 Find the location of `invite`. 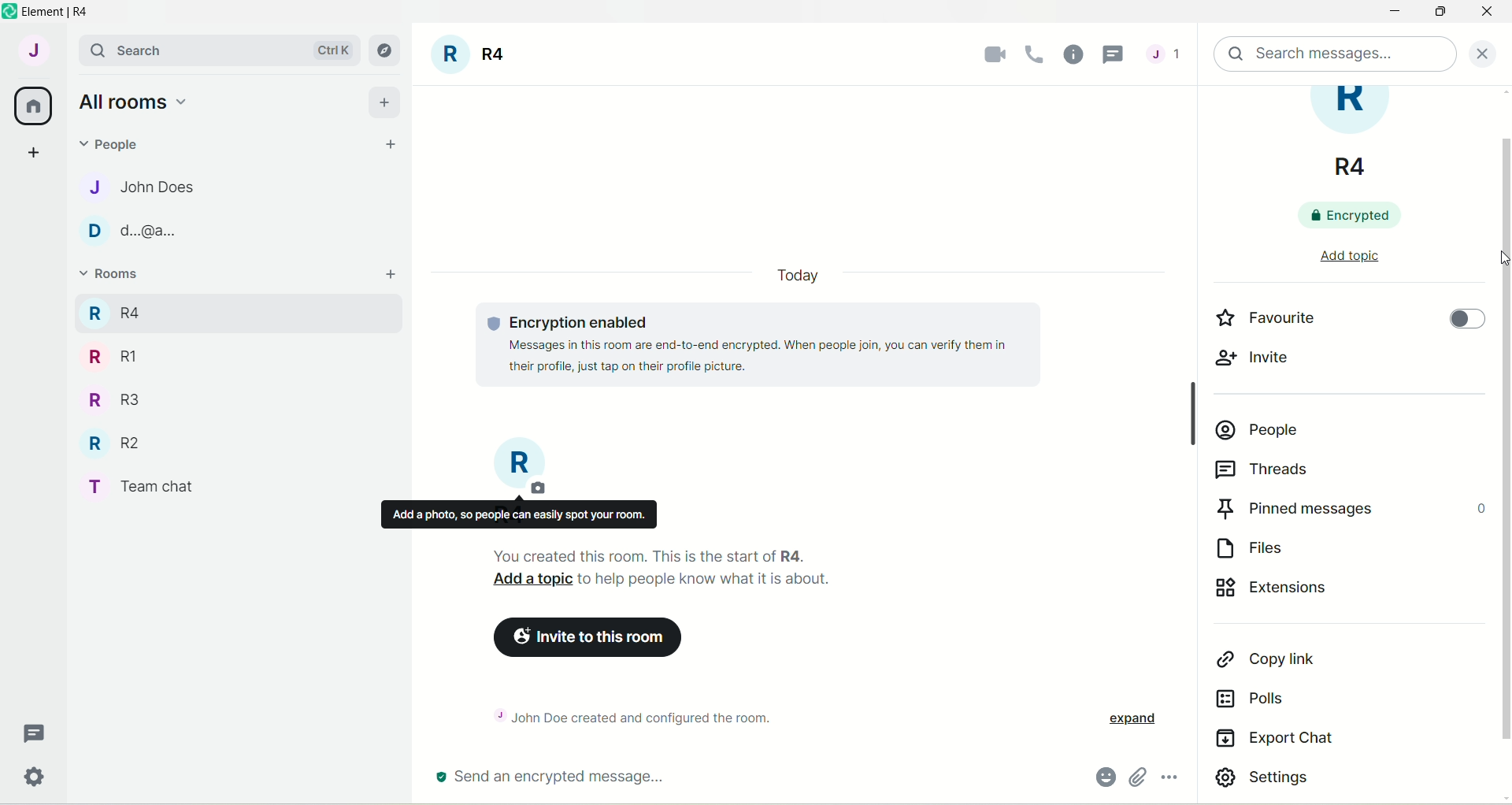

invite is located at coordinates (1254, 363).